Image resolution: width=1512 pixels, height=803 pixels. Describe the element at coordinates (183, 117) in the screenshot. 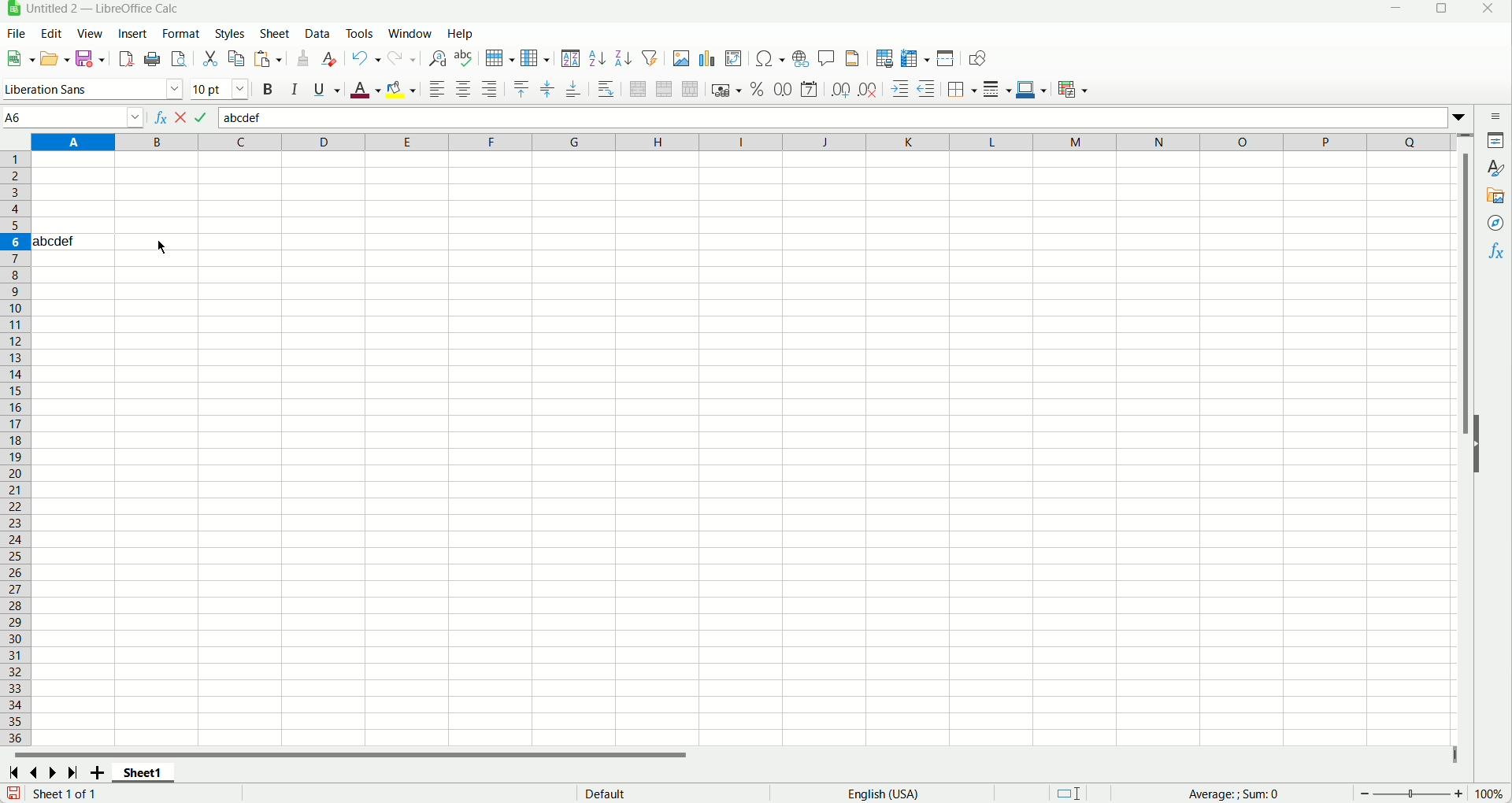

I see `cancel` at that location.